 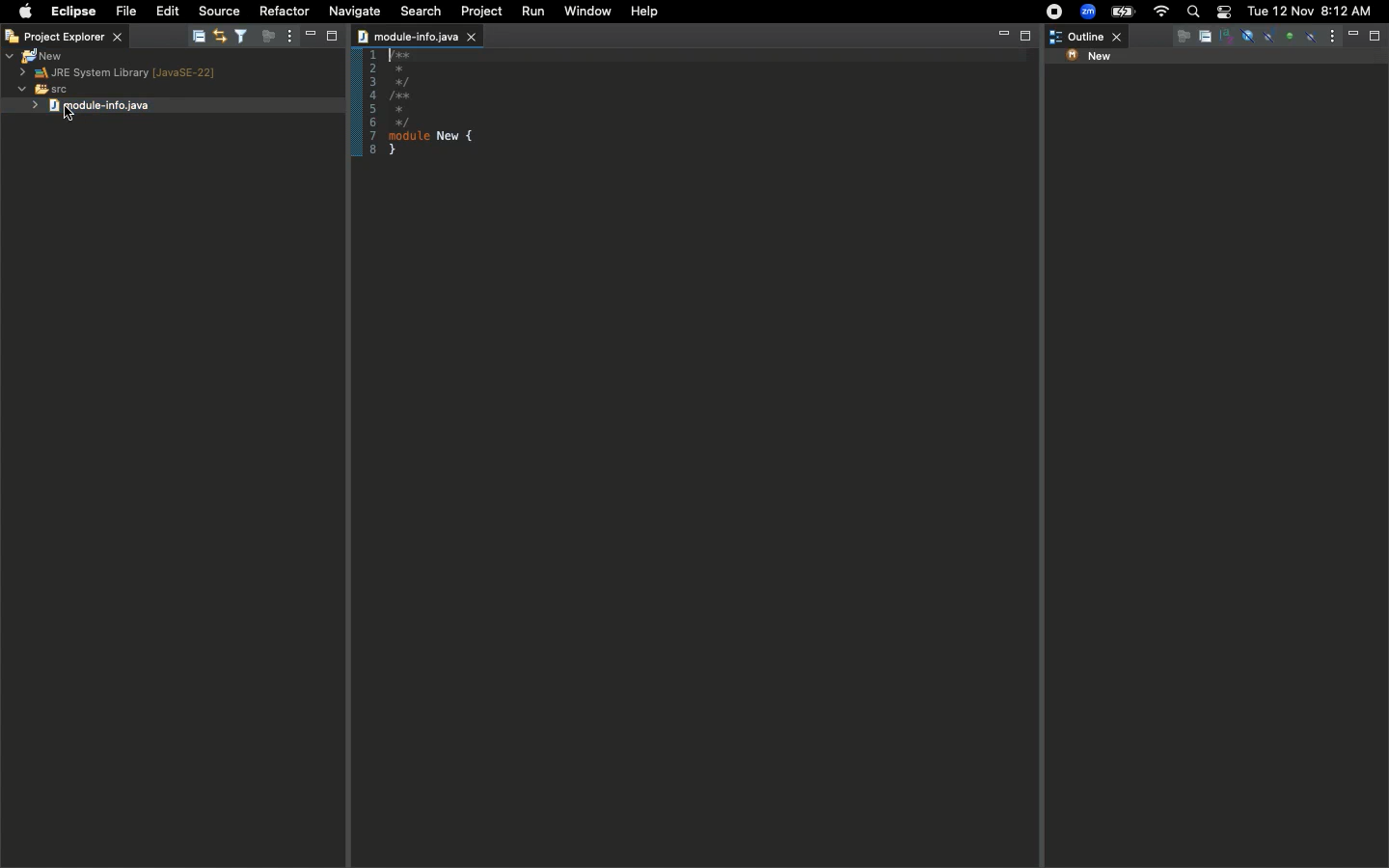 What do you see at coordinates (1290, 36) in the screenshot?
I see `` at bounding box center [1290, 36].